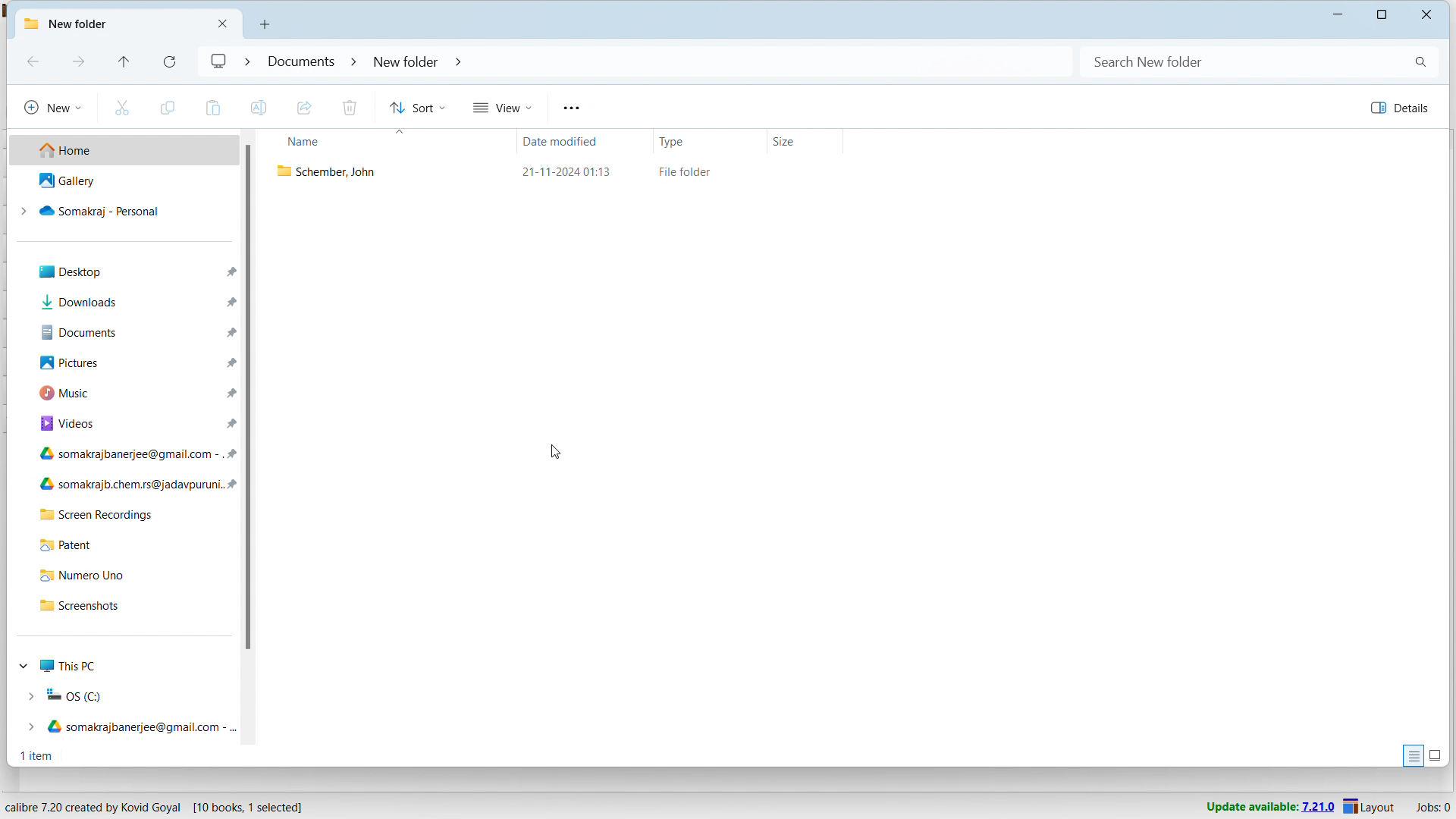  I want to click on rename, so click(259, 107).